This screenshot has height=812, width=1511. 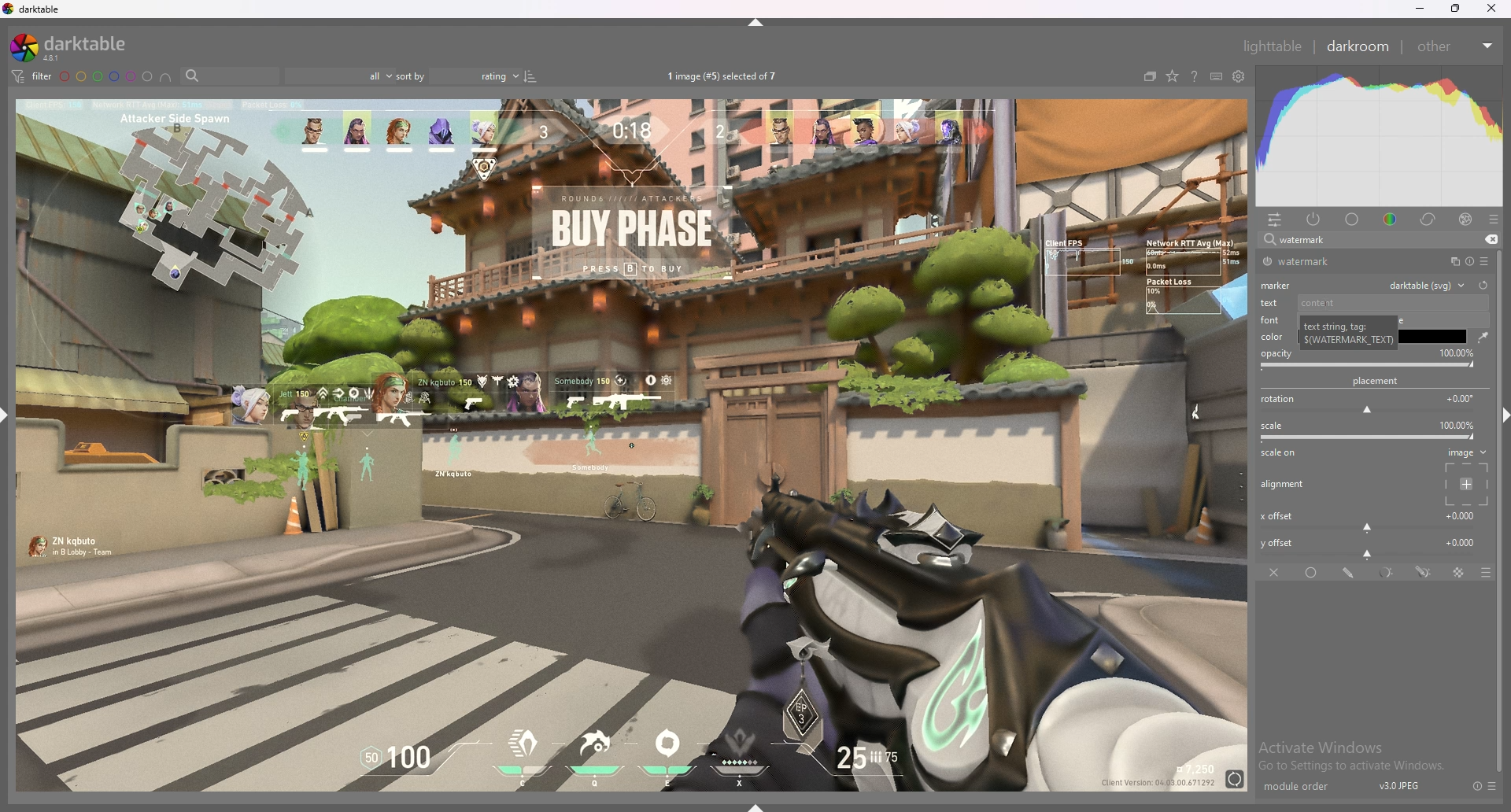 What do you see at coordinates (1216, 77) in the screenshot?
I see `keyboard shortcut` at bounding box center [1216, 77].